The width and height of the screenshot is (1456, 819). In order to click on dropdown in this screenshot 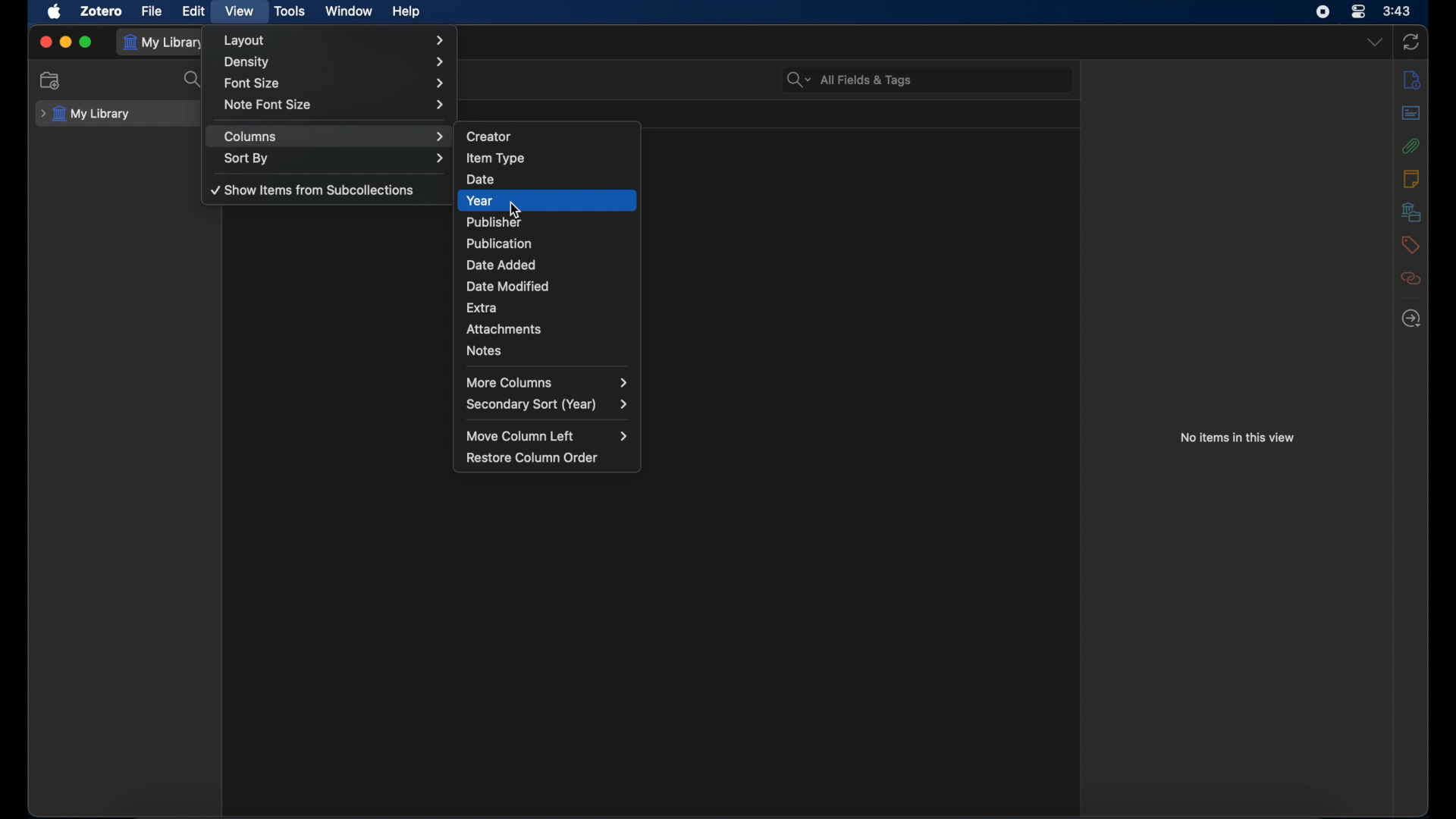, I will do `click(1373, 42)`.